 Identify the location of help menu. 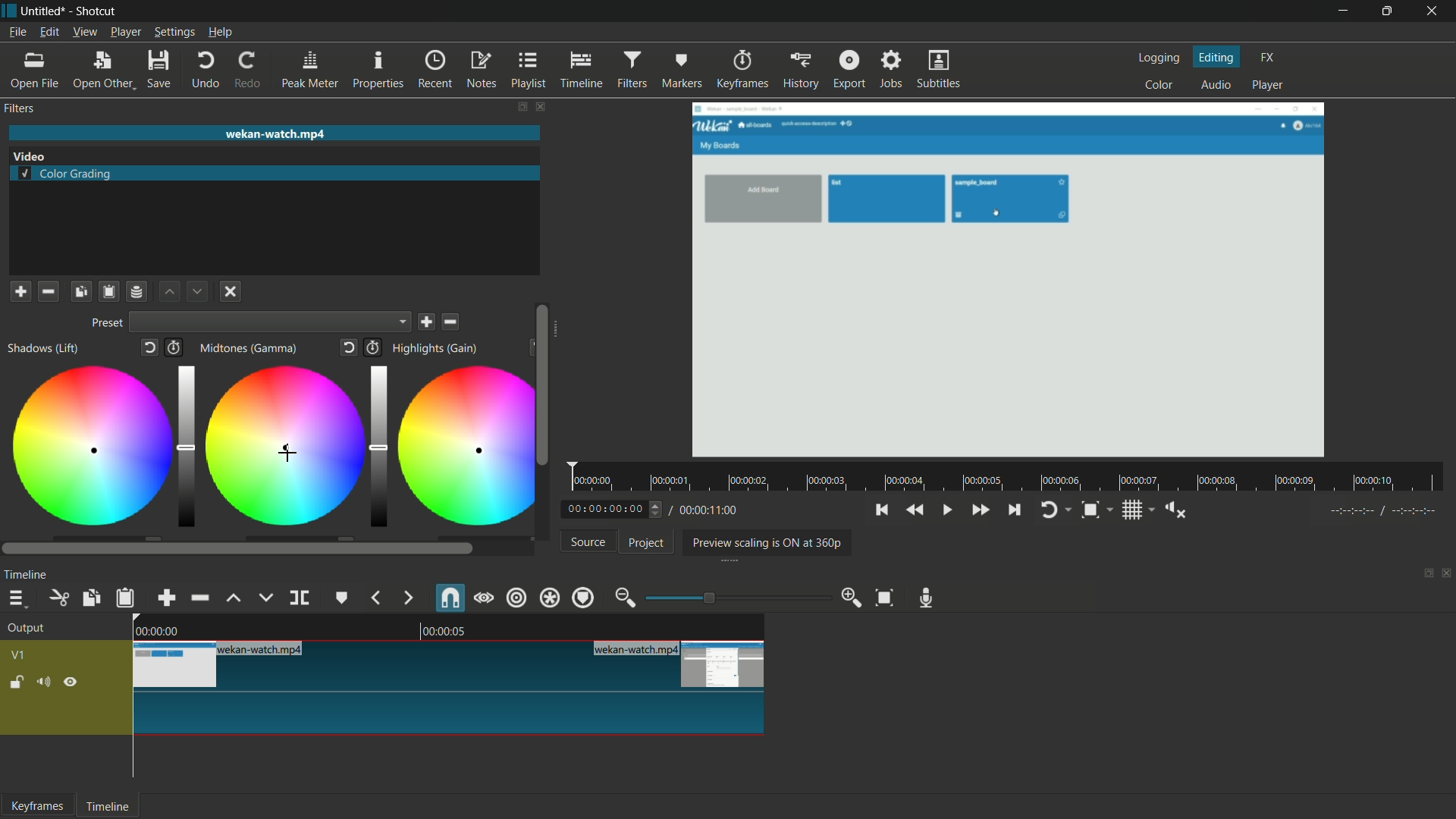
(221, 33).